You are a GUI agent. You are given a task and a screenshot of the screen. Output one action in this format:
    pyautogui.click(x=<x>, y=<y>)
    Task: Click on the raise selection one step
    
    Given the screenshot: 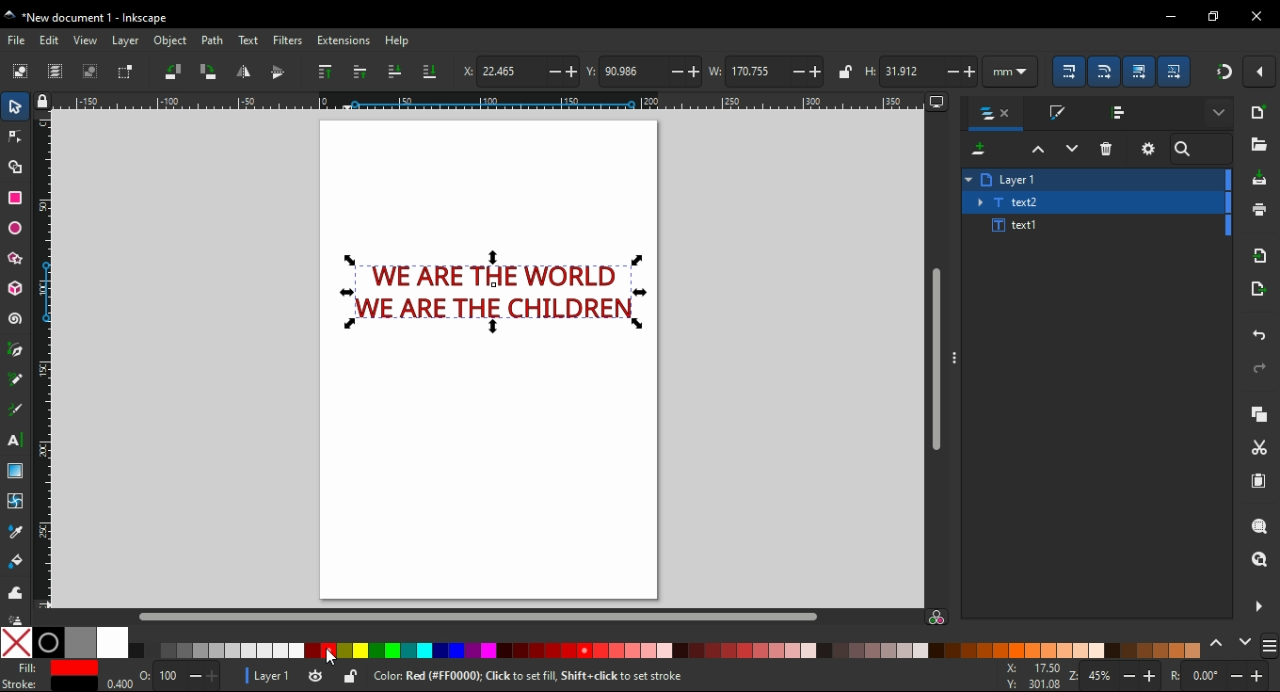 What is the action you would take?
    pyautogui.click(x=1036, y=150)
    